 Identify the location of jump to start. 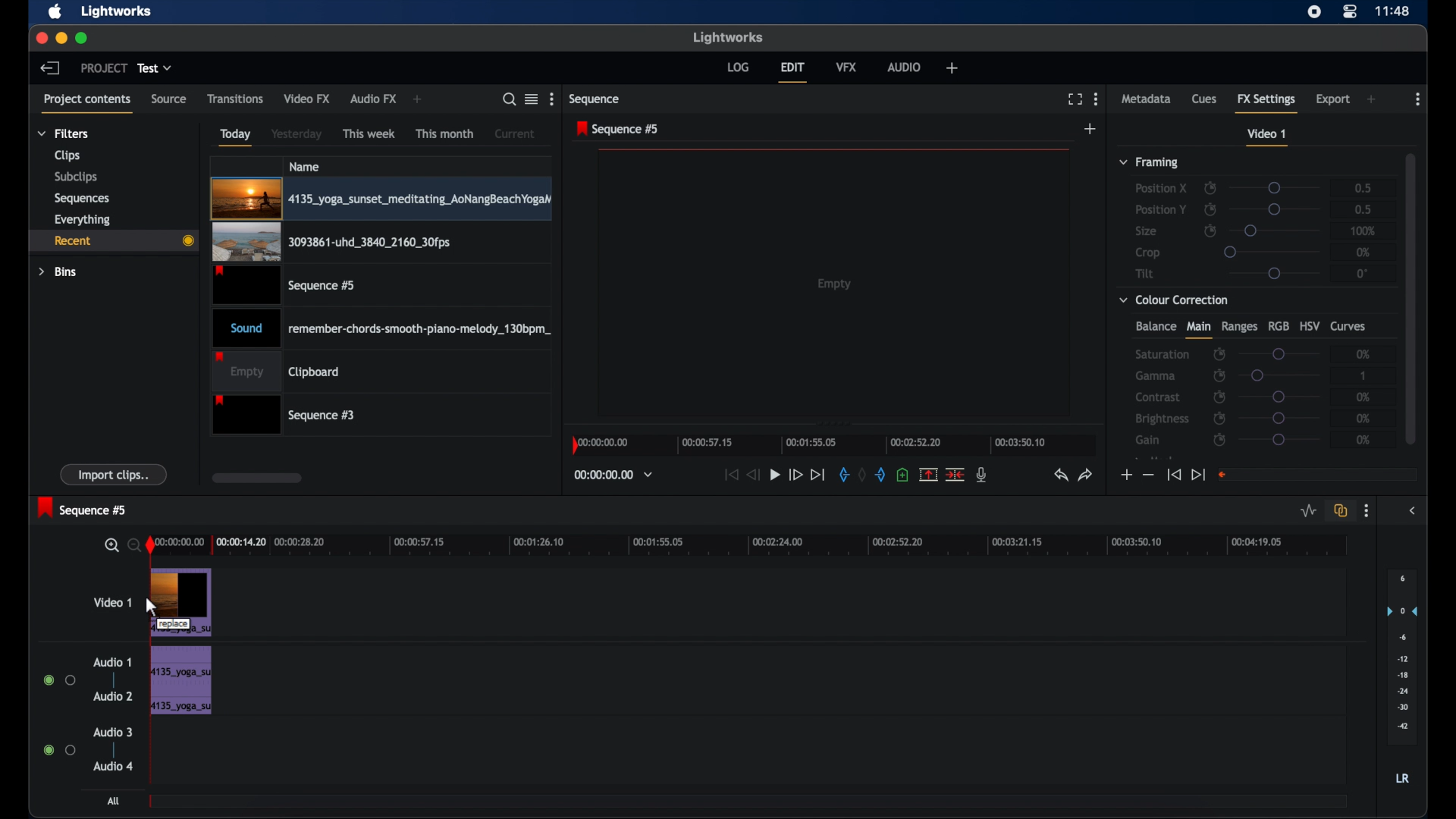
(731, 474).